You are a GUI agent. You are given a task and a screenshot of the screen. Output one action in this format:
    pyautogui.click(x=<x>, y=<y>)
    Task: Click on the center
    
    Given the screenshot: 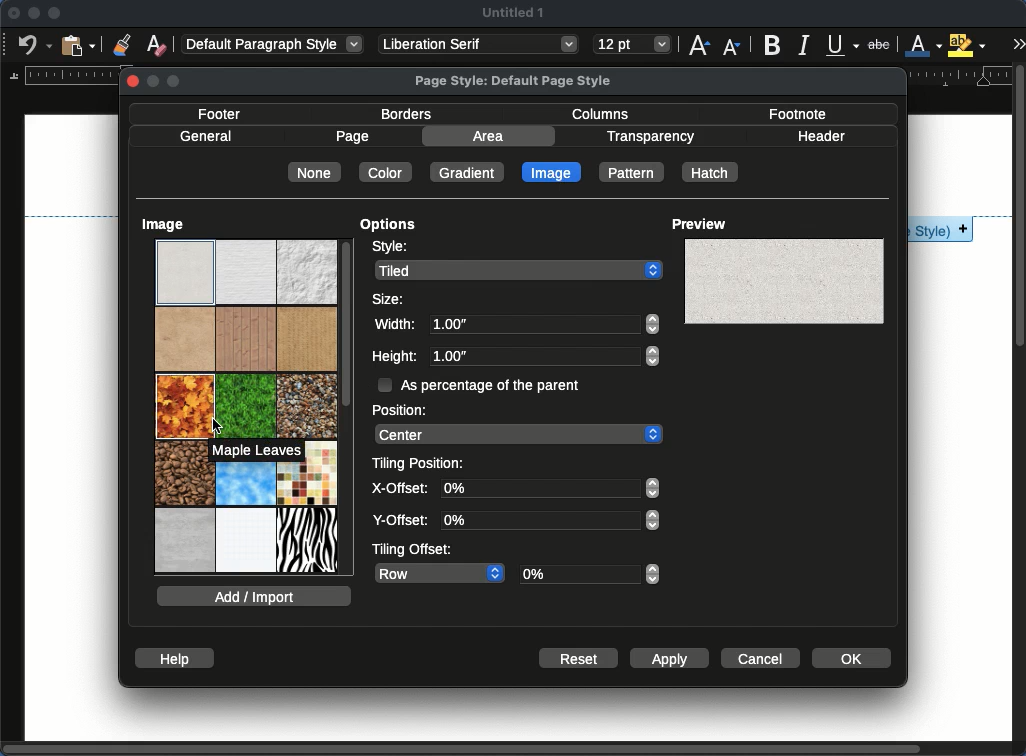 What is the action you would take?
    pyautogui.click(x=519, y=435)
    